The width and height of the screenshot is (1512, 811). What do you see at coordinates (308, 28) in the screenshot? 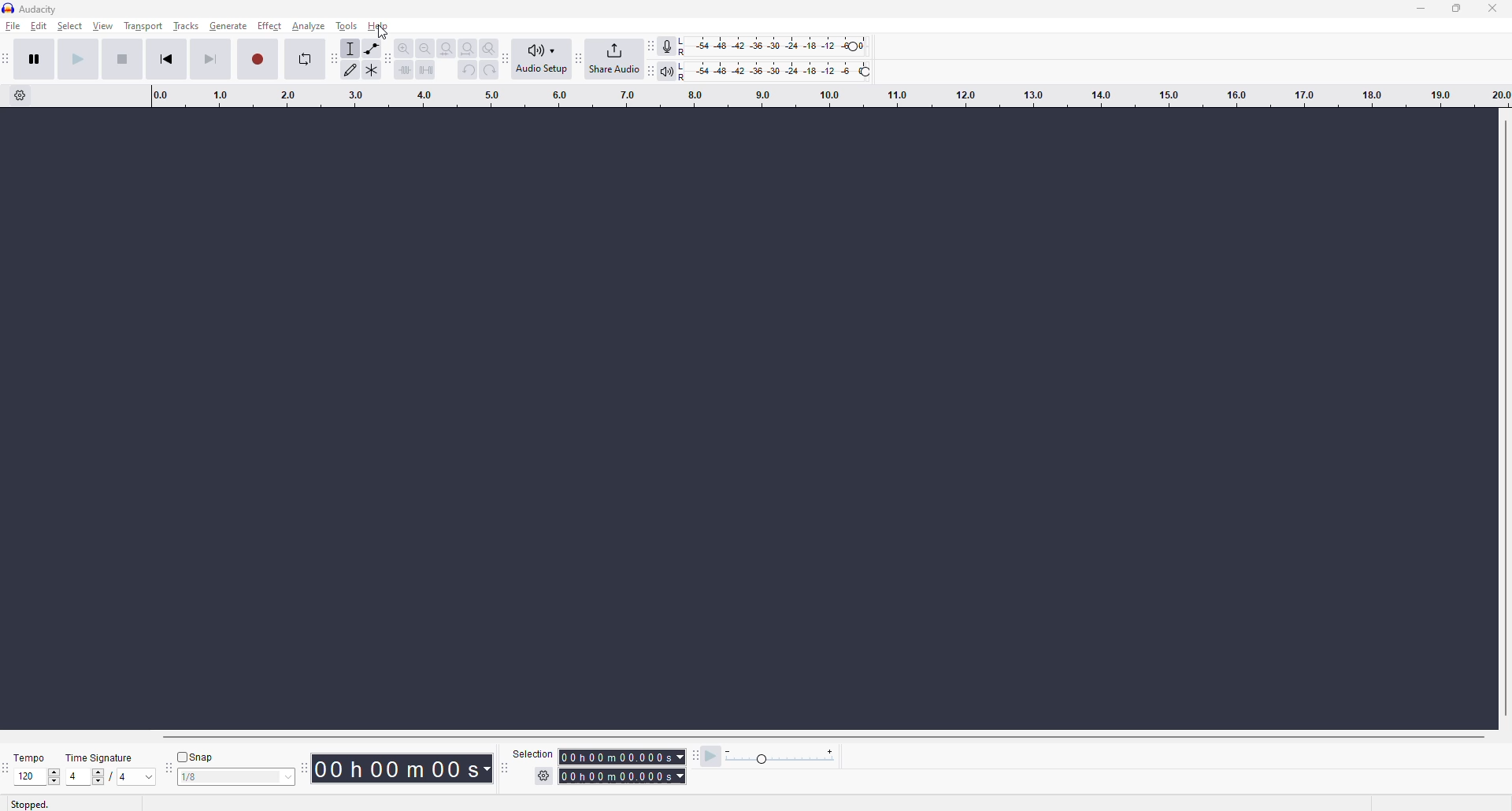
I see `analyze` at bounding box center [308, 28].